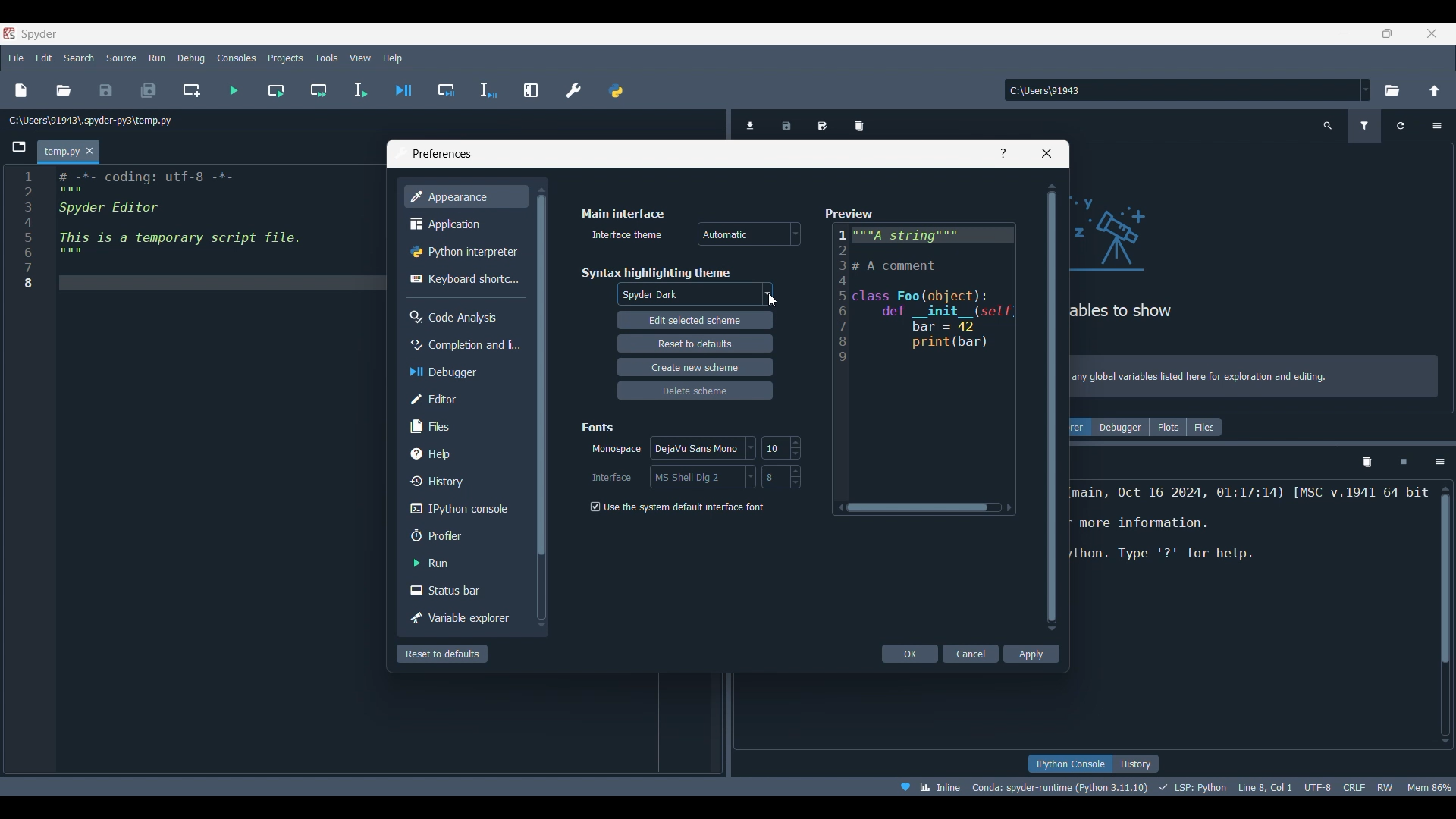 Image resolution: width=1456 pixels, height=819 pixels. I want to click on Projects menu, so click(284, 57).